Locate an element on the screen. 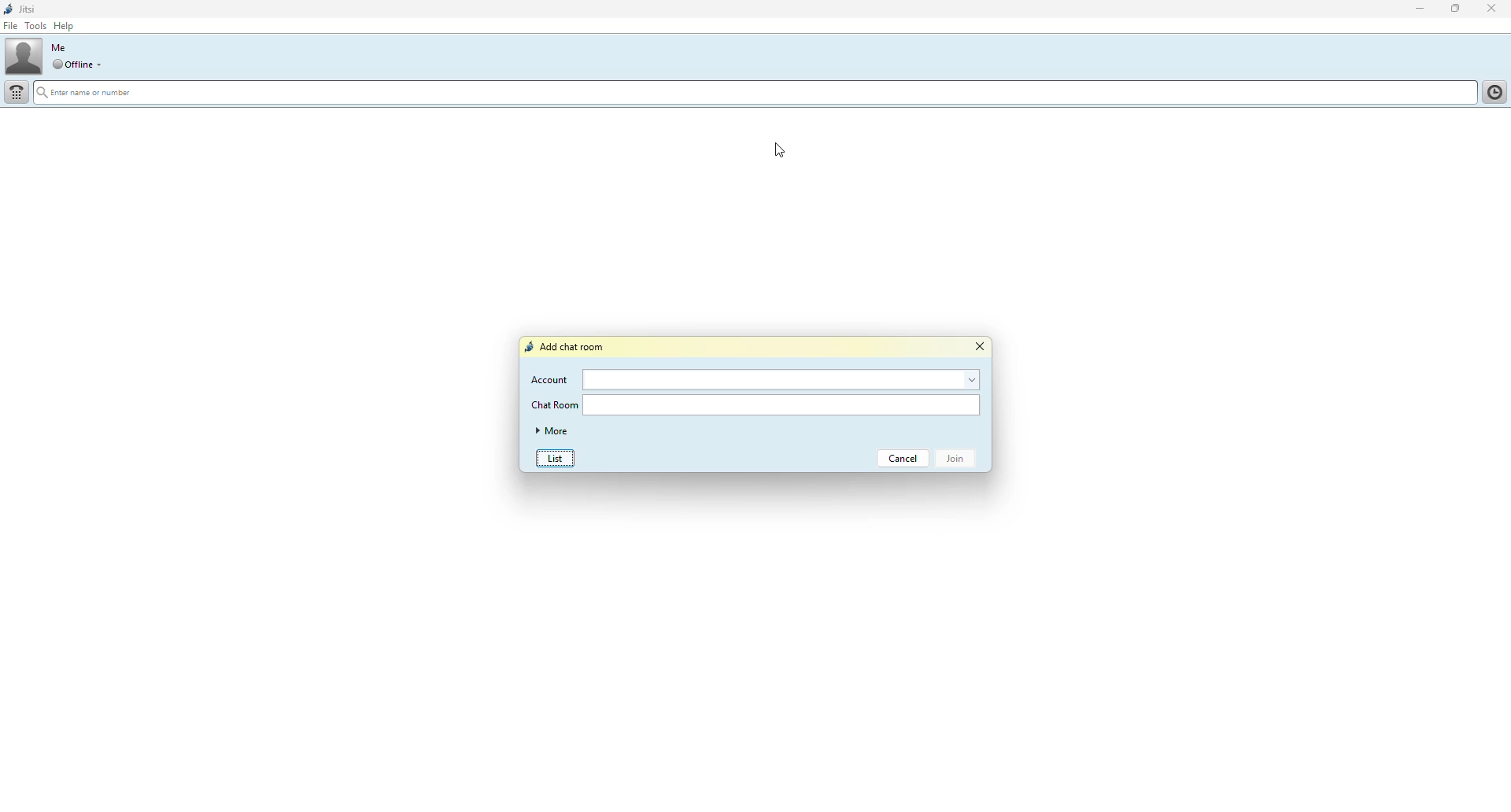  list is located at coordinates (560, 456).